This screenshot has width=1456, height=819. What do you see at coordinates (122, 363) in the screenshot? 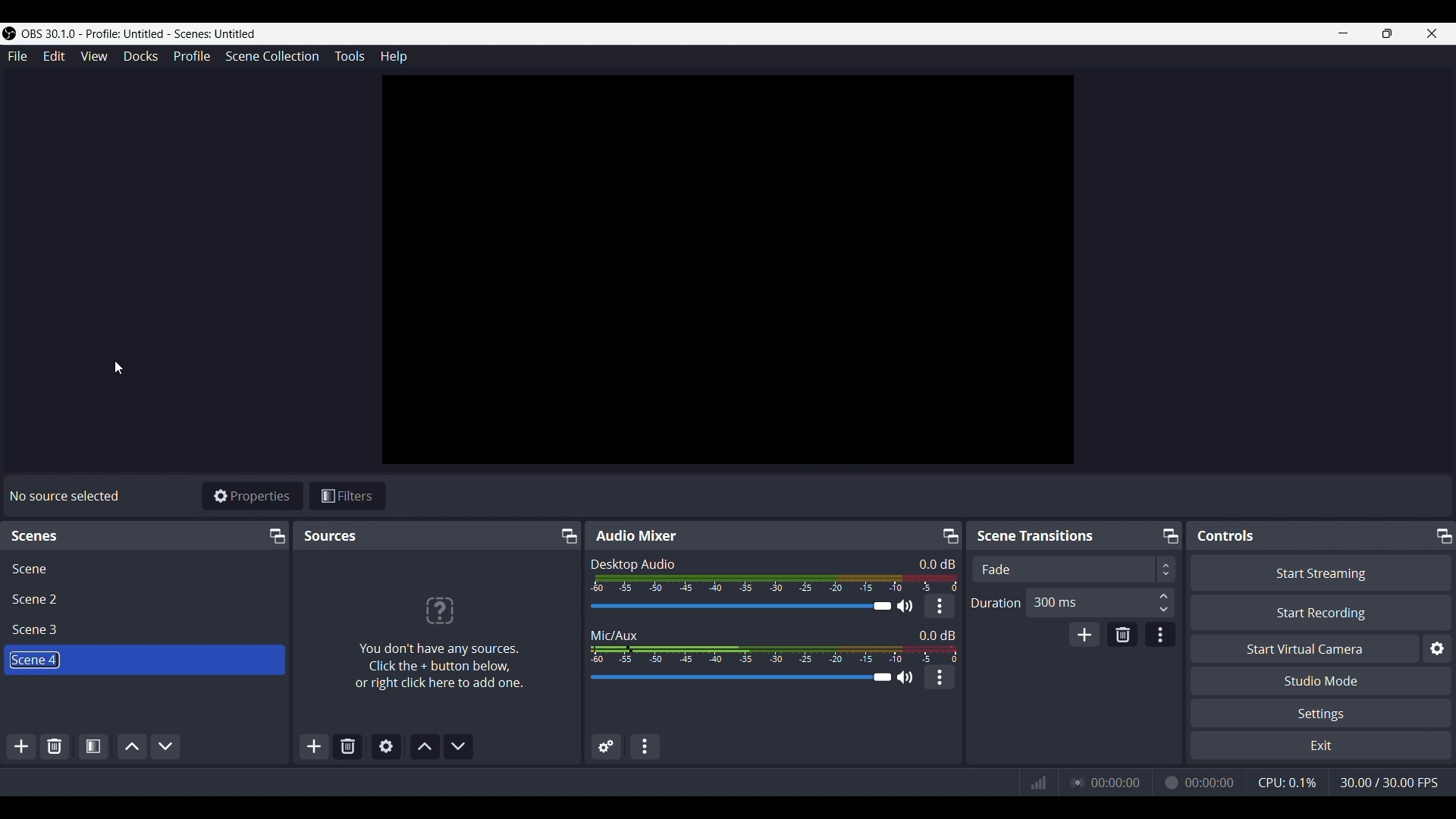
I see `cursor` at bounding box center [122, 363].